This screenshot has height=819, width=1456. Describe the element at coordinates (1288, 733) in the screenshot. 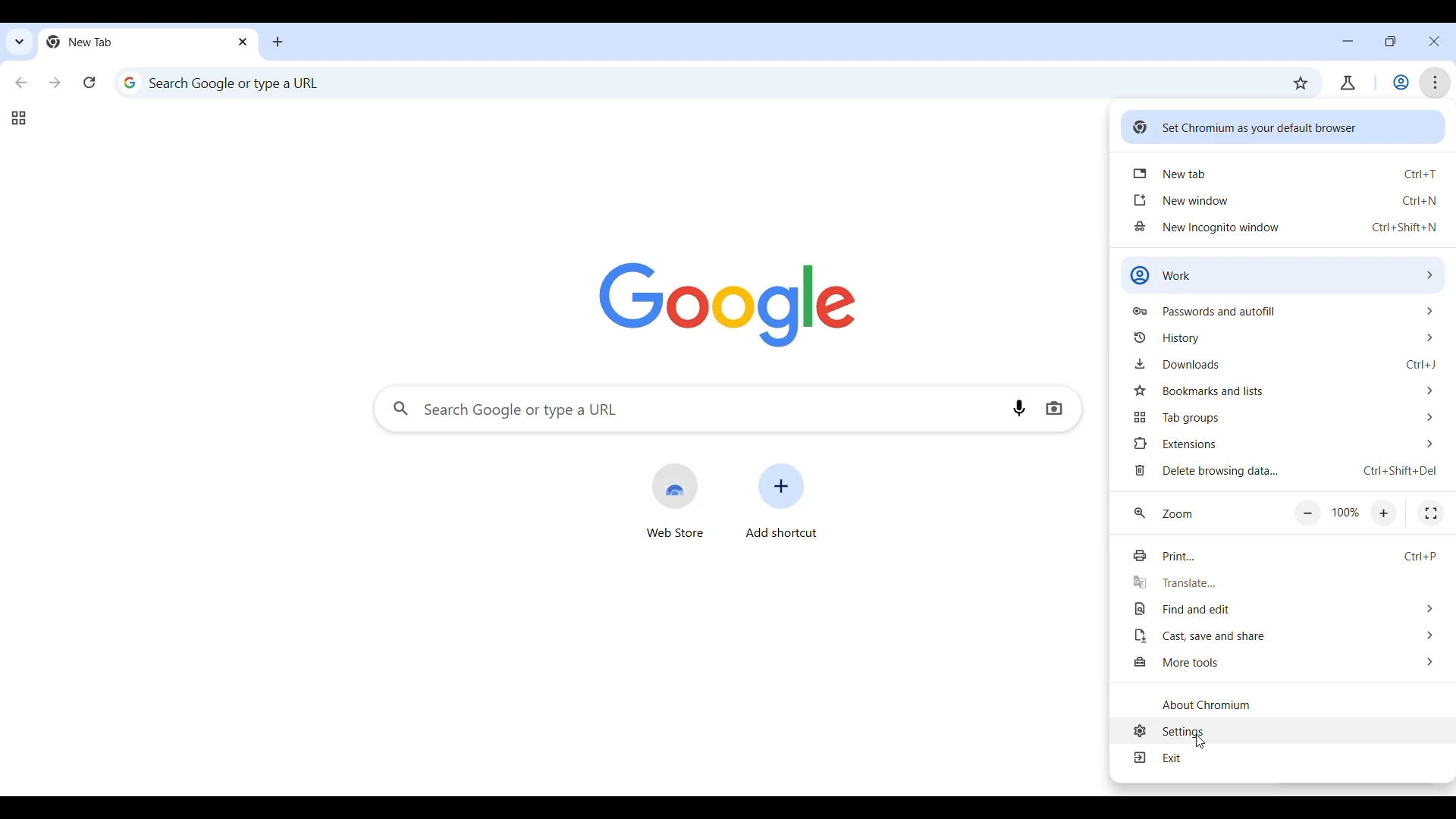

I see `Settings ` at that location.